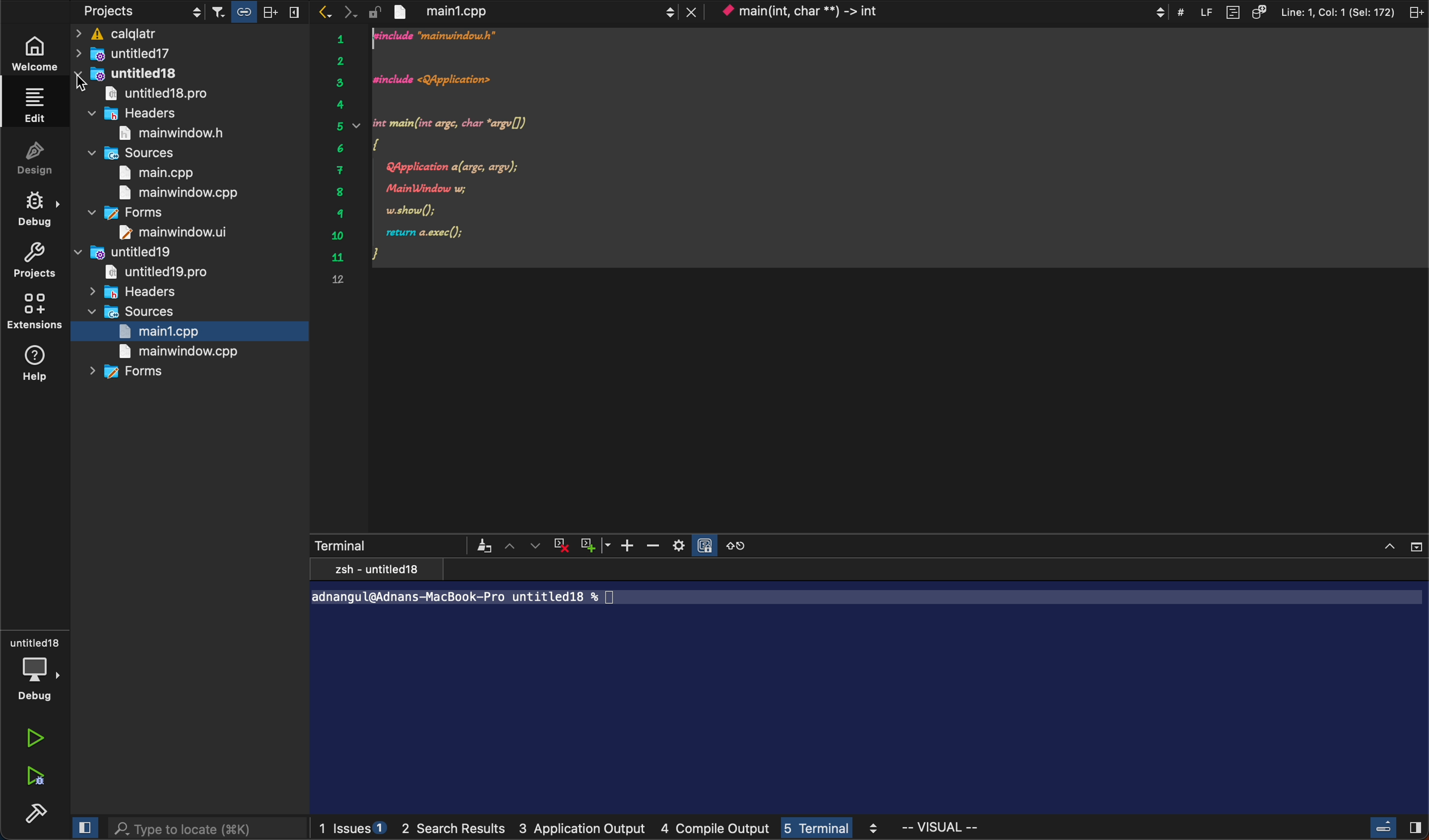 The height and width of the screenshot is (840, 1429). Describe the element at coordinates (655, 546) in the screenshot. I see `zoom out` at that location.